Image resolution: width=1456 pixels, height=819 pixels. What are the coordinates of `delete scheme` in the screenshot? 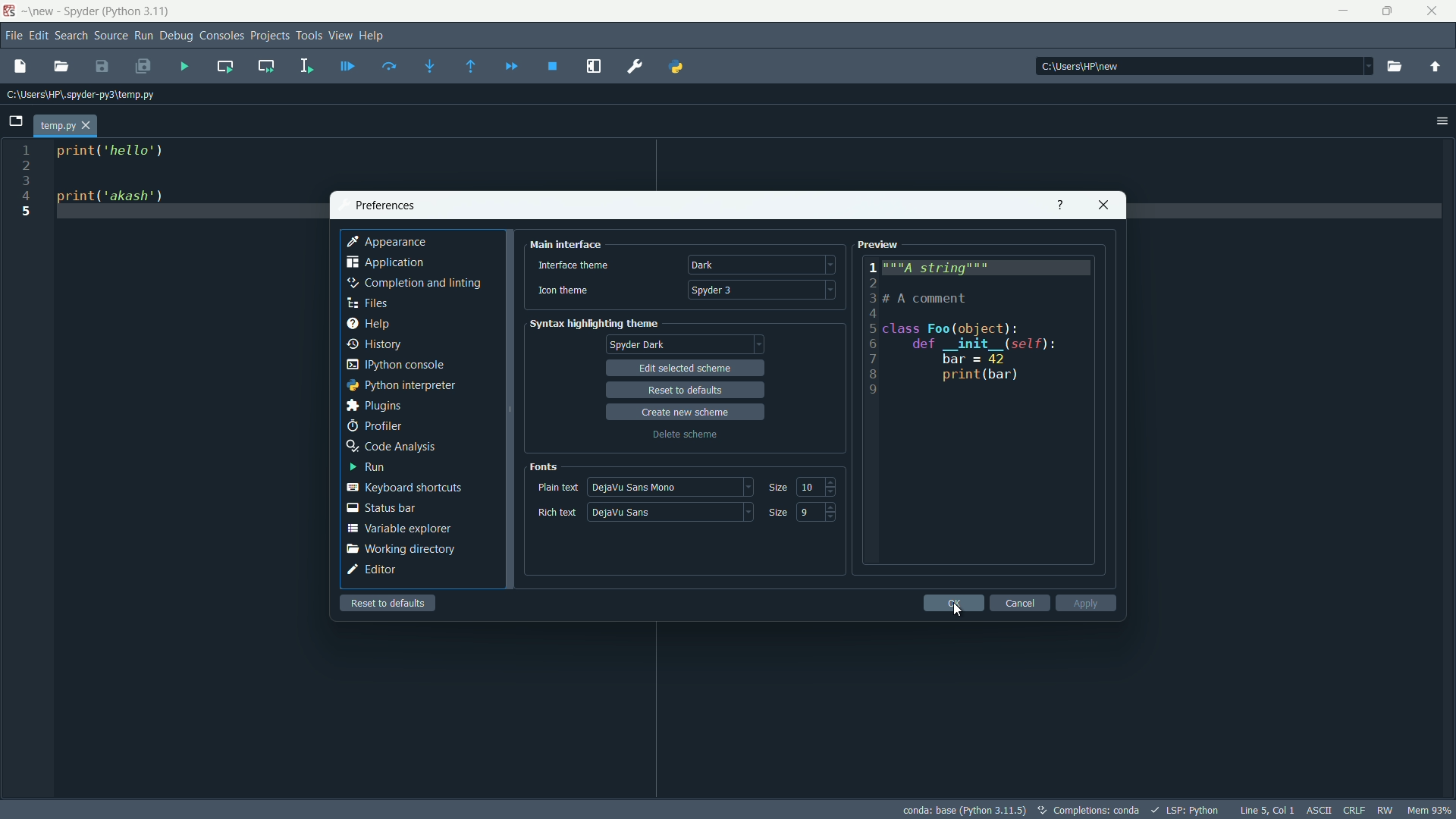 It's located at (685, 435).